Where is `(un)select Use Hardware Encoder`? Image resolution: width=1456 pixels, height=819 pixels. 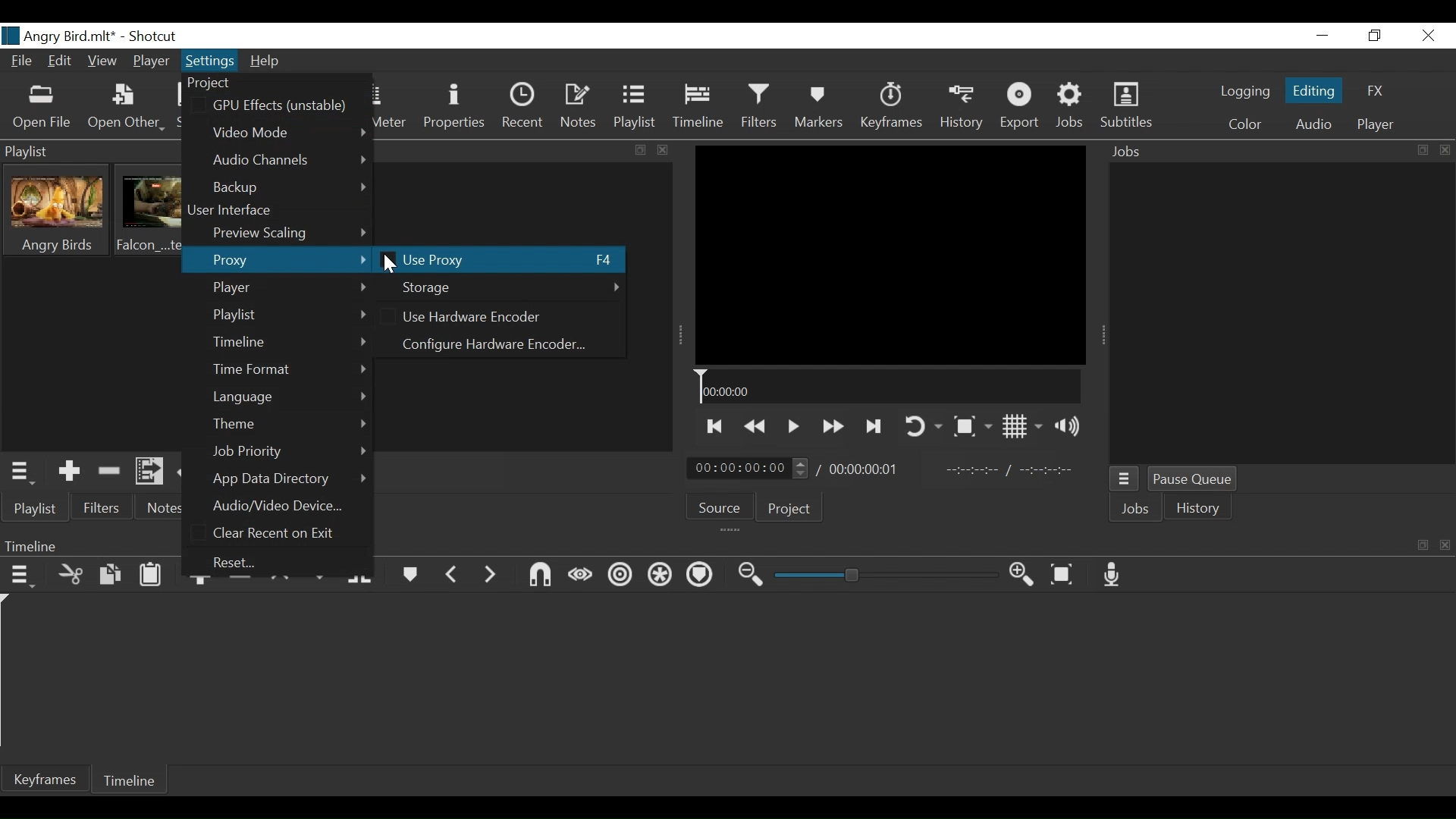 (un)select Use Hardware Encoder is located at coordinates (471, 316).